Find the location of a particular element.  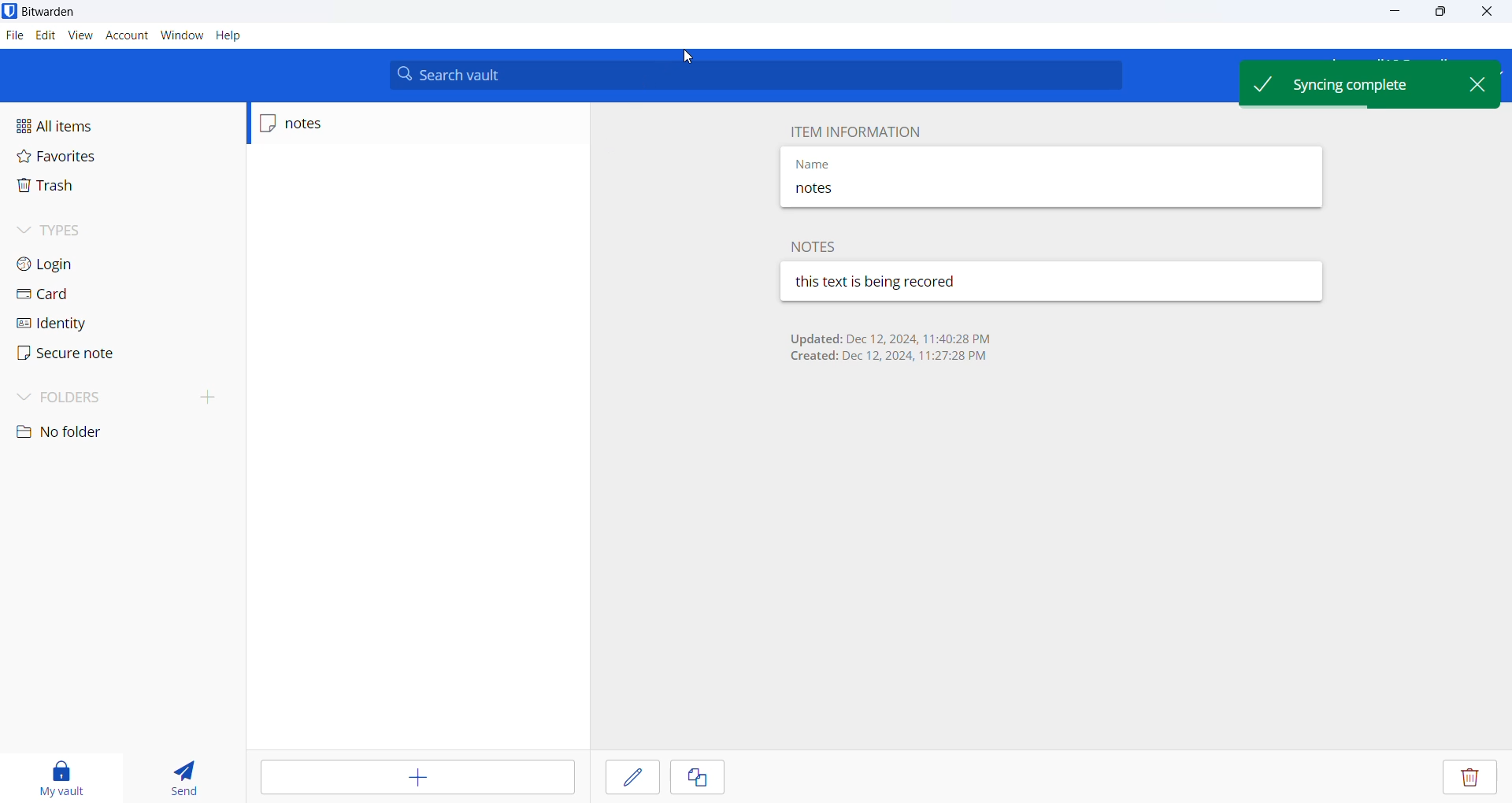

secure note is located at coordinates (76, 354).